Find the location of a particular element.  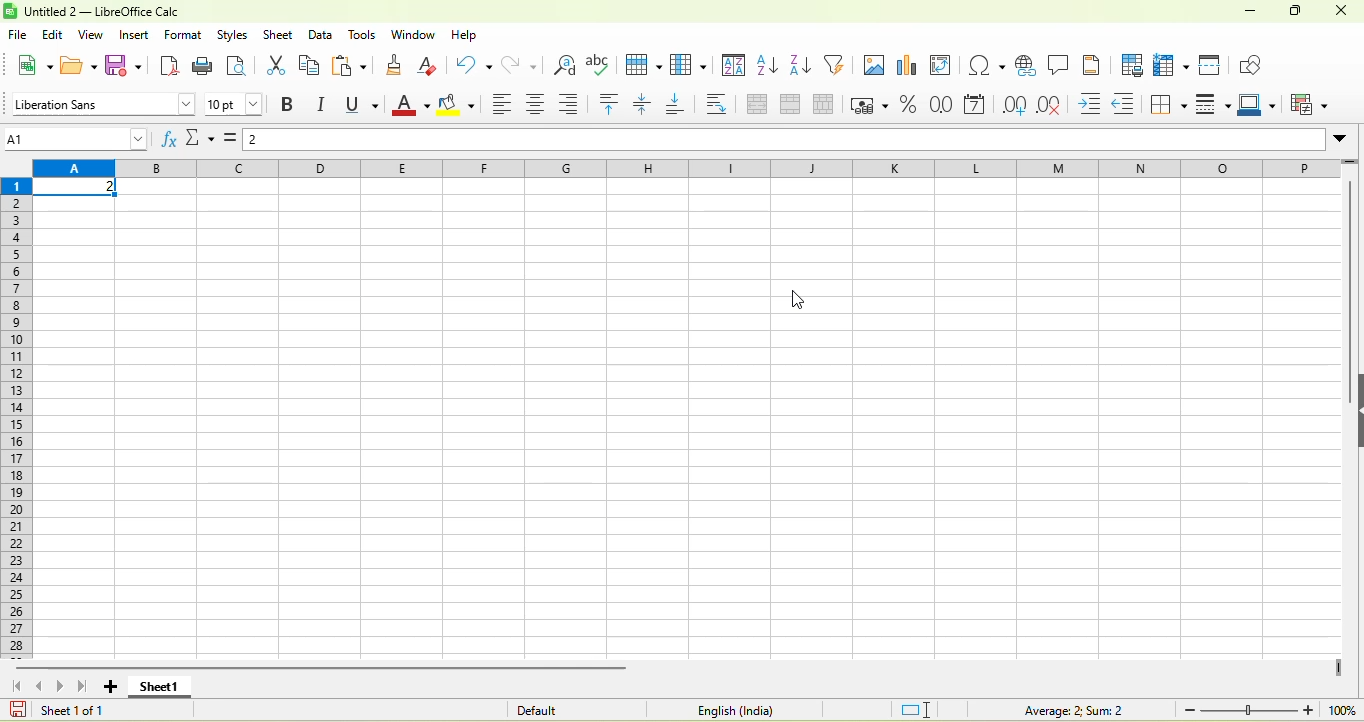

align left is located at coordinates (502, 106).